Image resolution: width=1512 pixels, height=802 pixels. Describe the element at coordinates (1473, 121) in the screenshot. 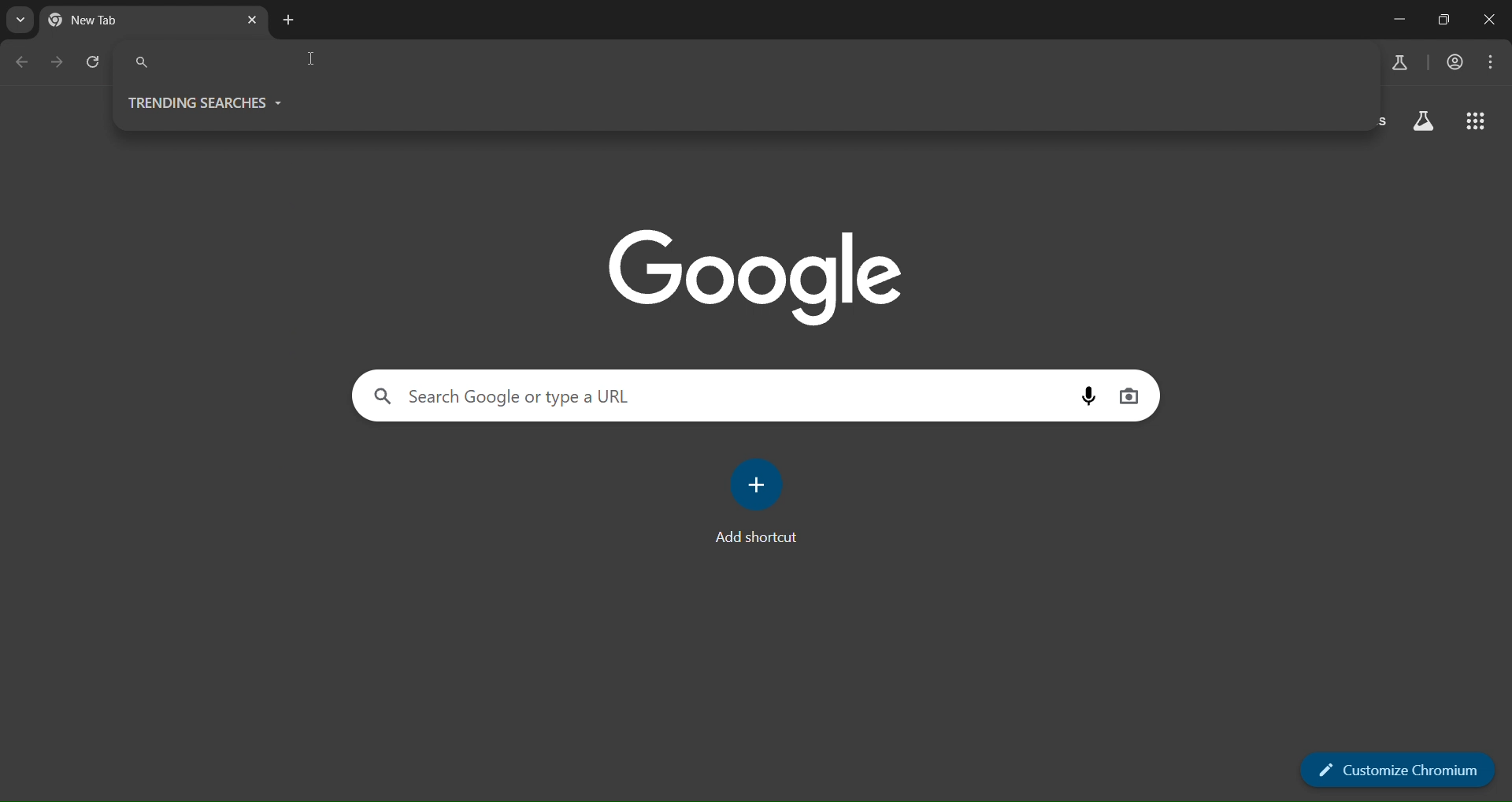

I see `google apps` at that location.